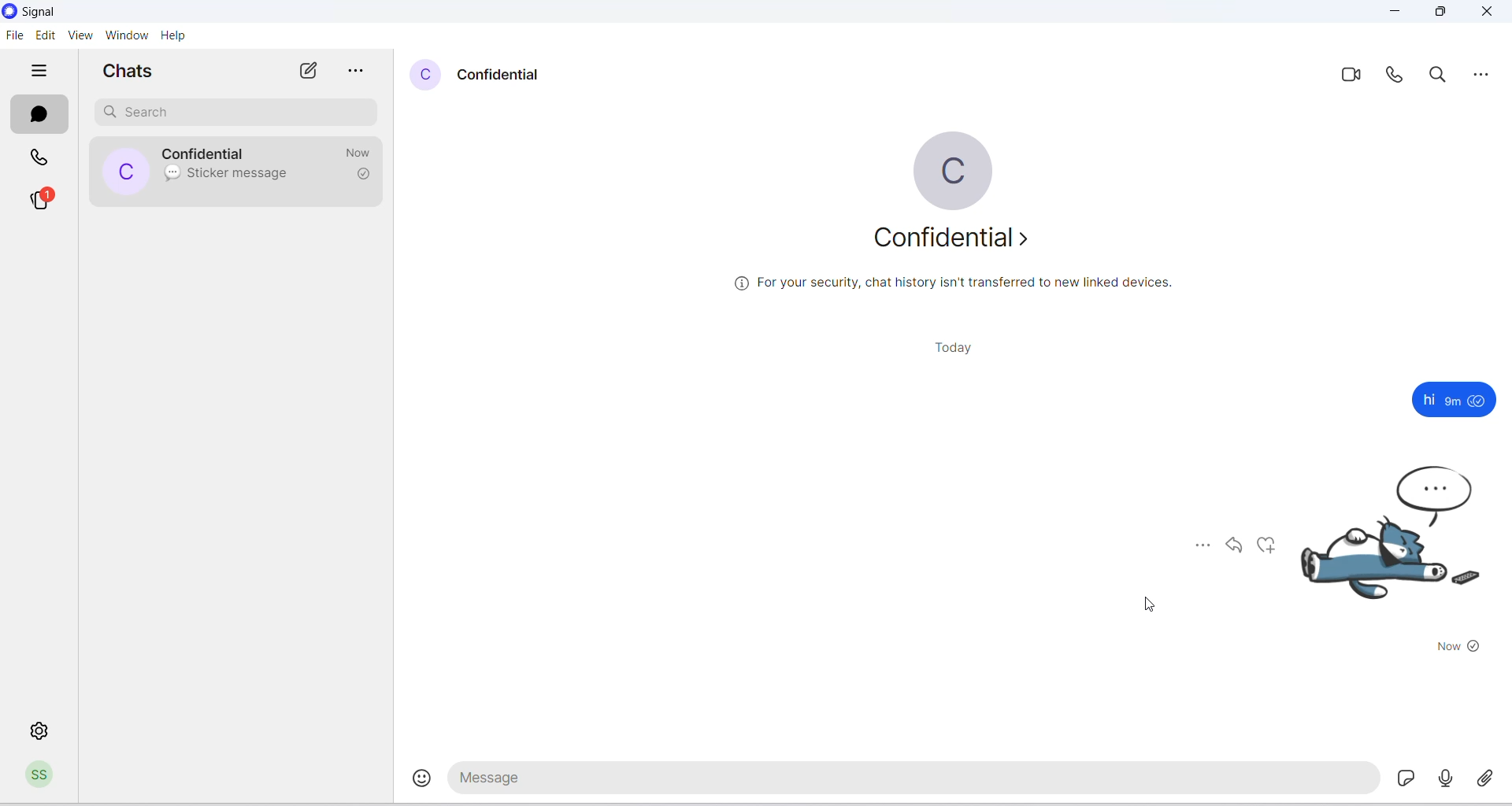  I want to click on view, so click(82, 36).